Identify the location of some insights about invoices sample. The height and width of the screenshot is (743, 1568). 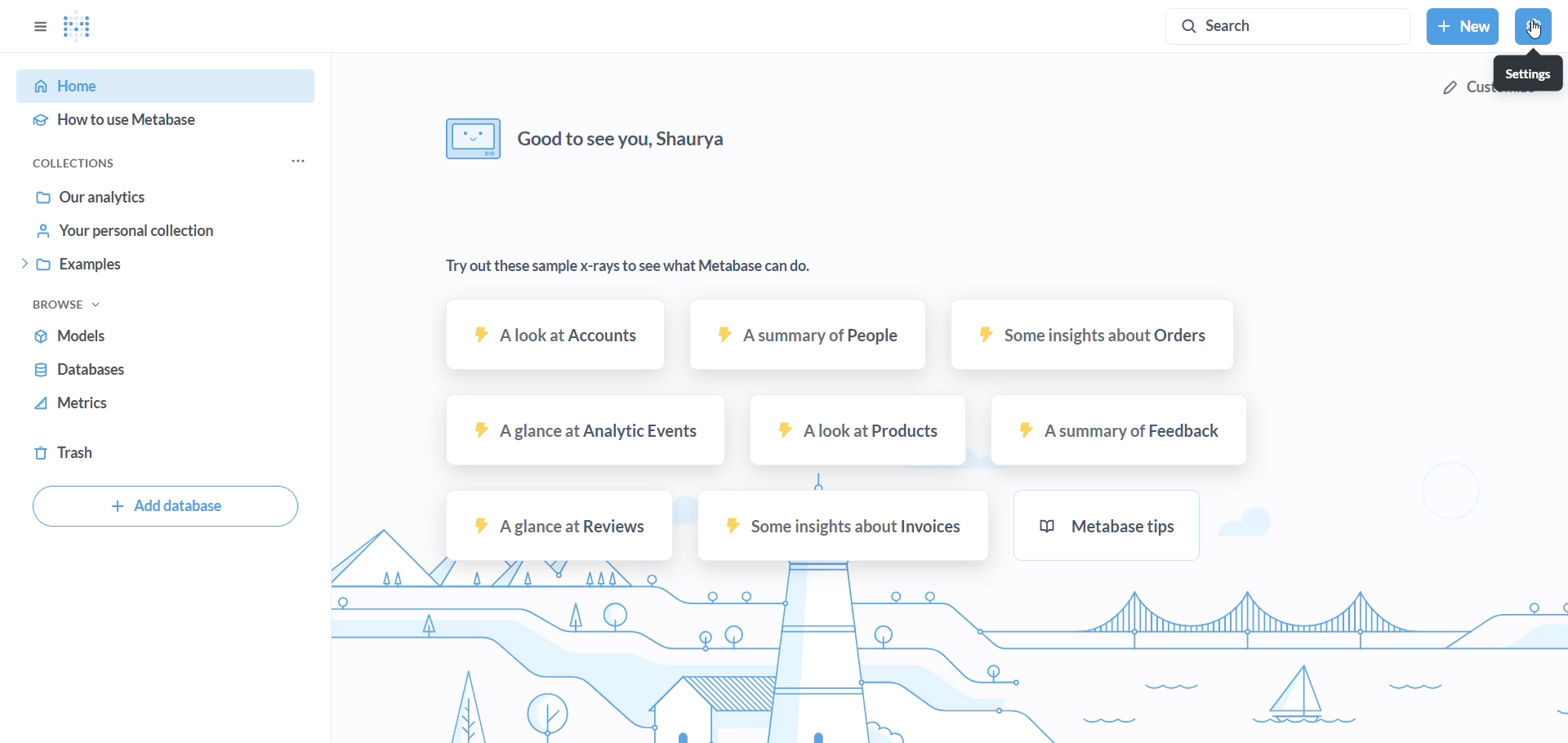
(850, 526).